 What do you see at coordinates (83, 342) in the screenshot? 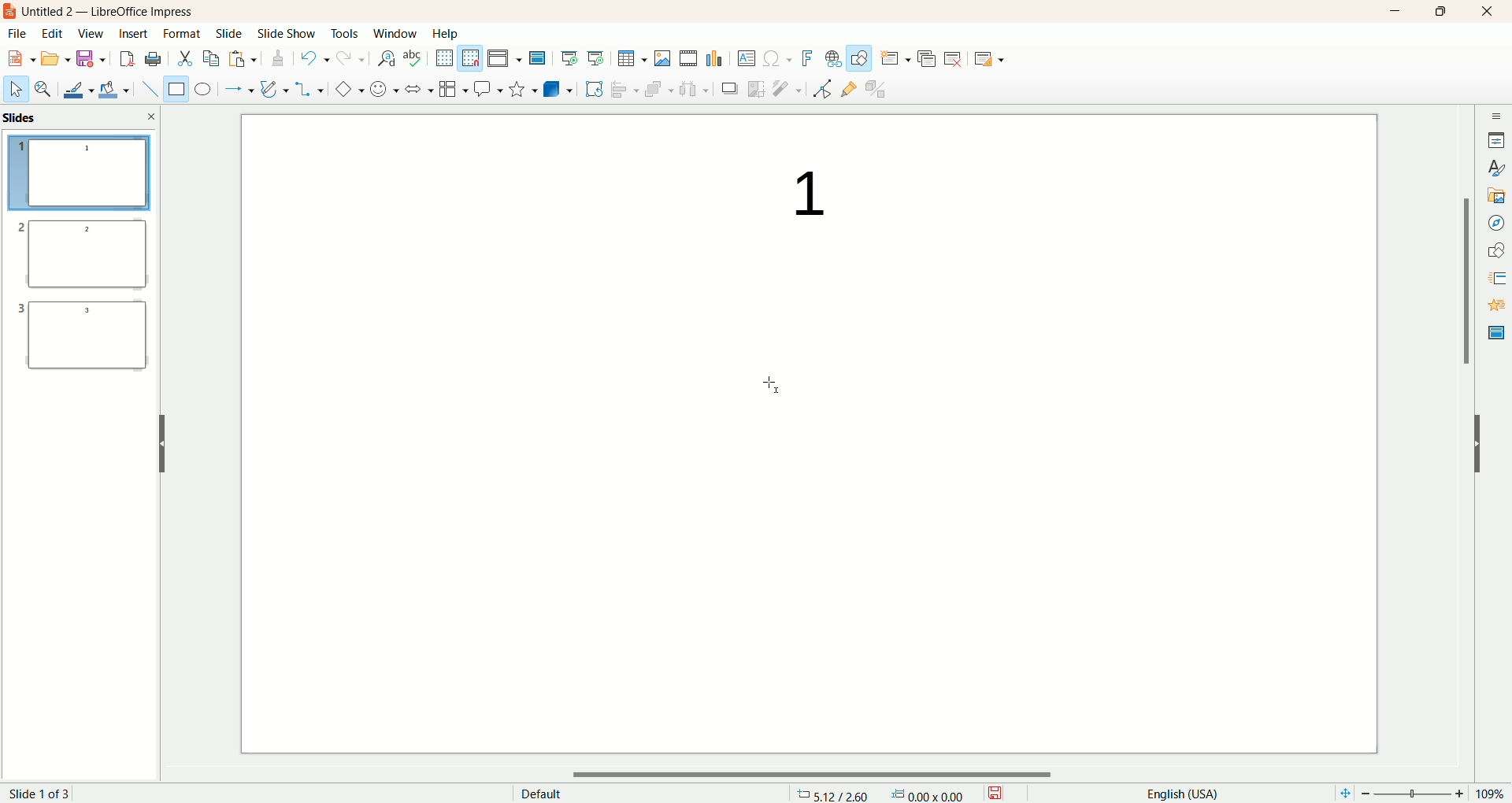
I see `slide 3` at bounding box center [83, 342].